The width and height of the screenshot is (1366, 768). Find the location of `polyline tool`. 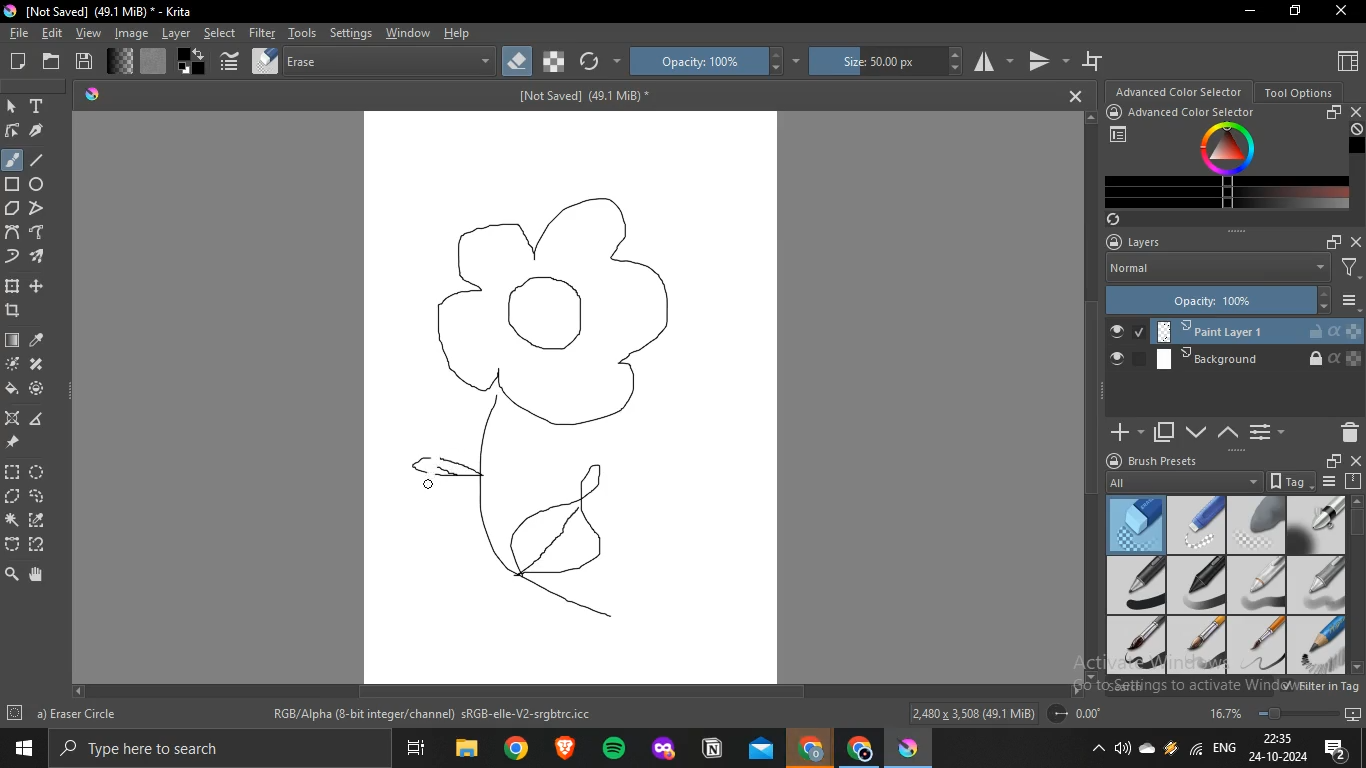

polyline tool is located at coordinates (36, 208).